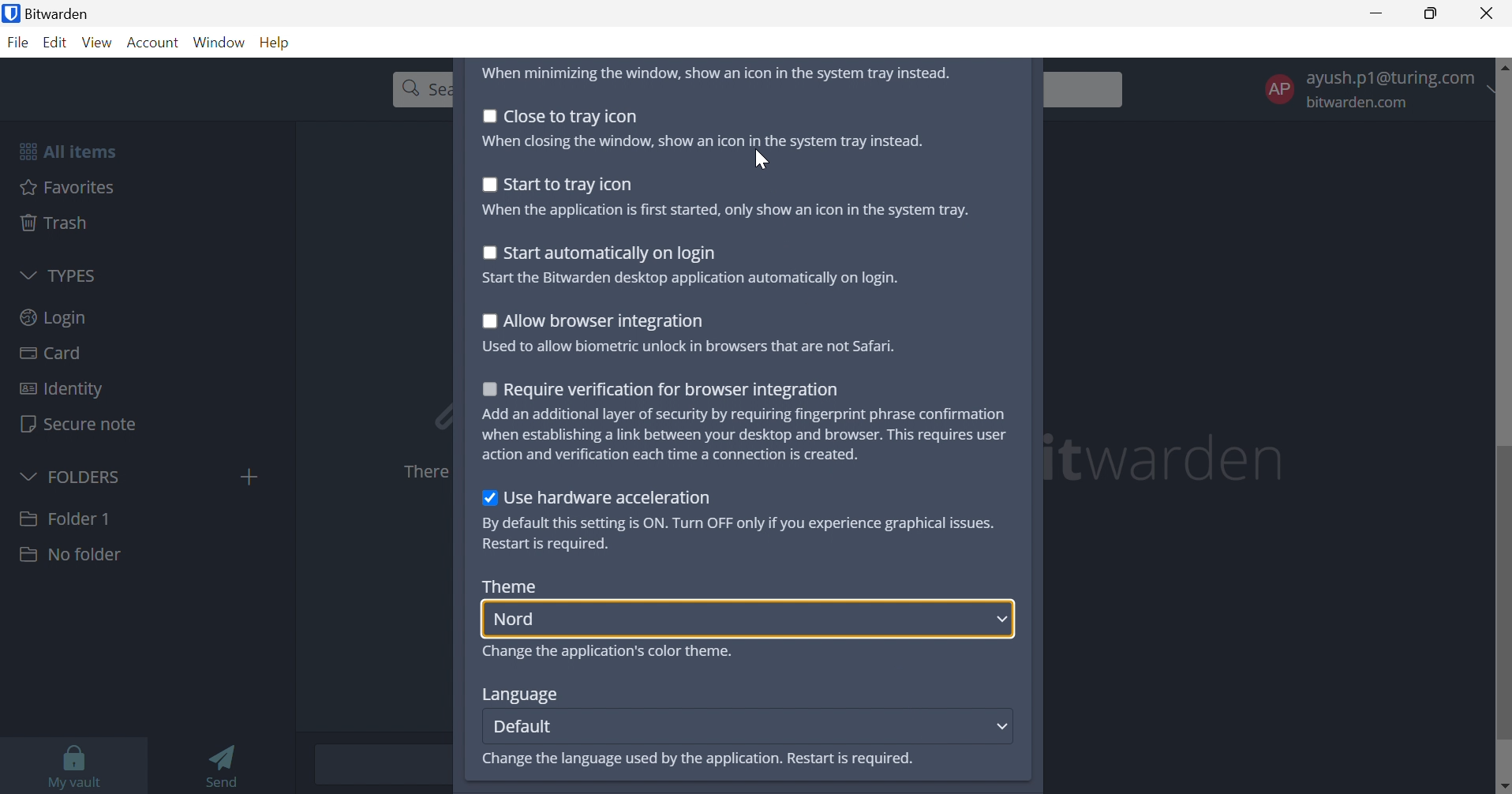  I want to click on Checkbox, so click(489, 115).